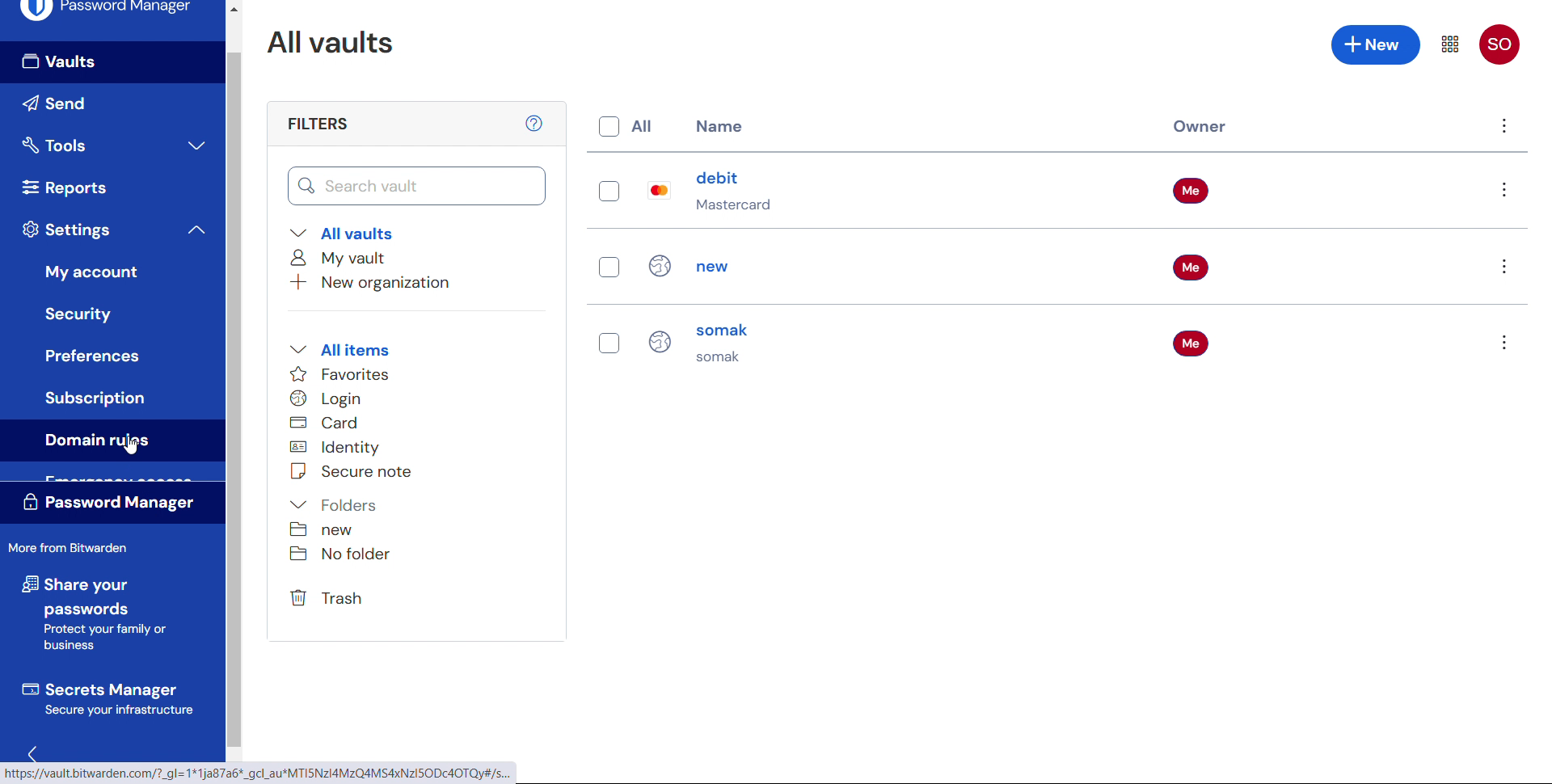 The width and height of the screenshot is (1552, 784). Describe the element at coordinates (352, 471) in the screenshot. I see `Secure note ` at that location.